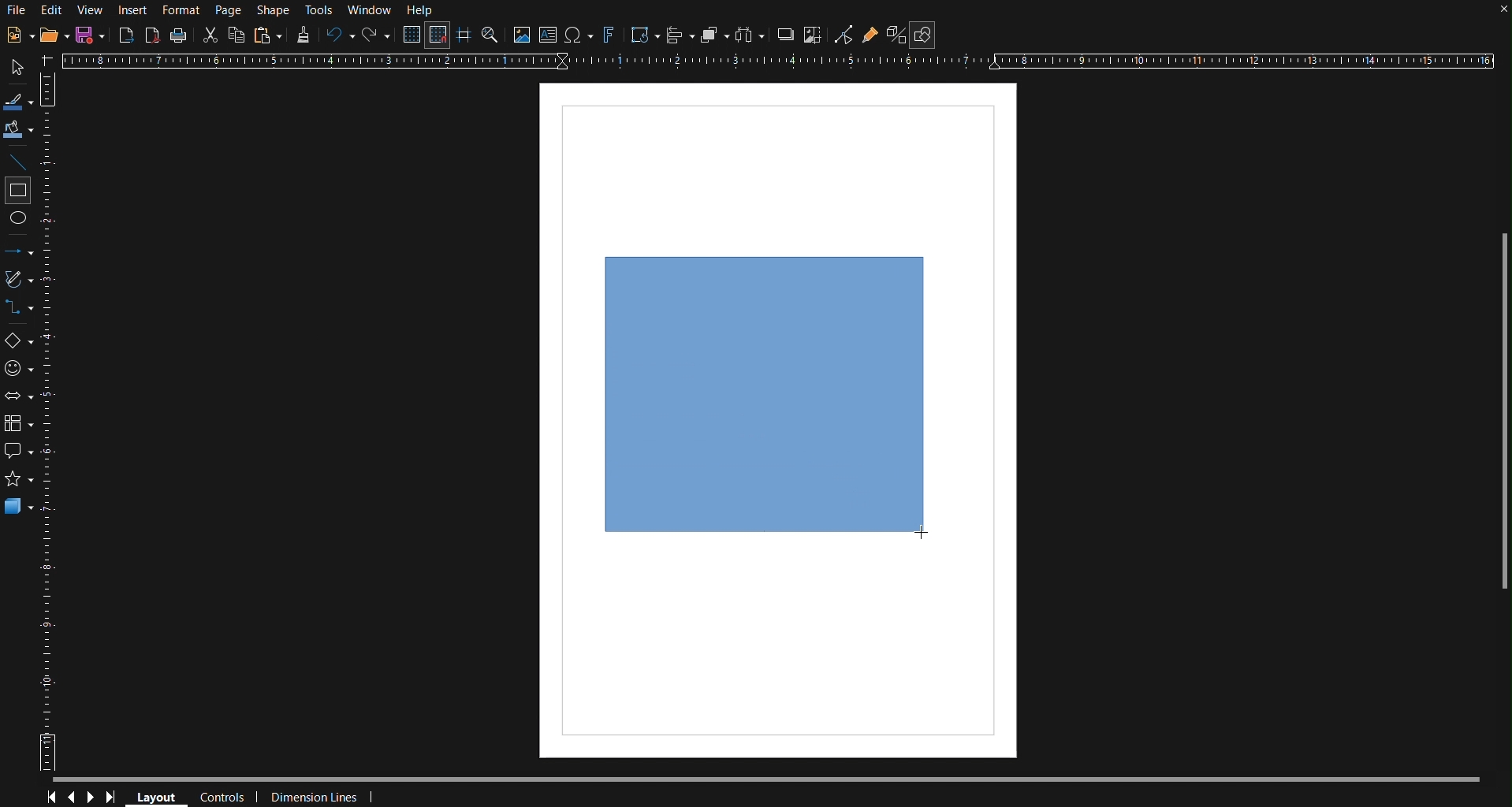 The height and width of the screenshot is (807, 1512). What do you see at coordinates (375, 35) in the screenshot?
I see `Redo` at bounding box center [375, 35].